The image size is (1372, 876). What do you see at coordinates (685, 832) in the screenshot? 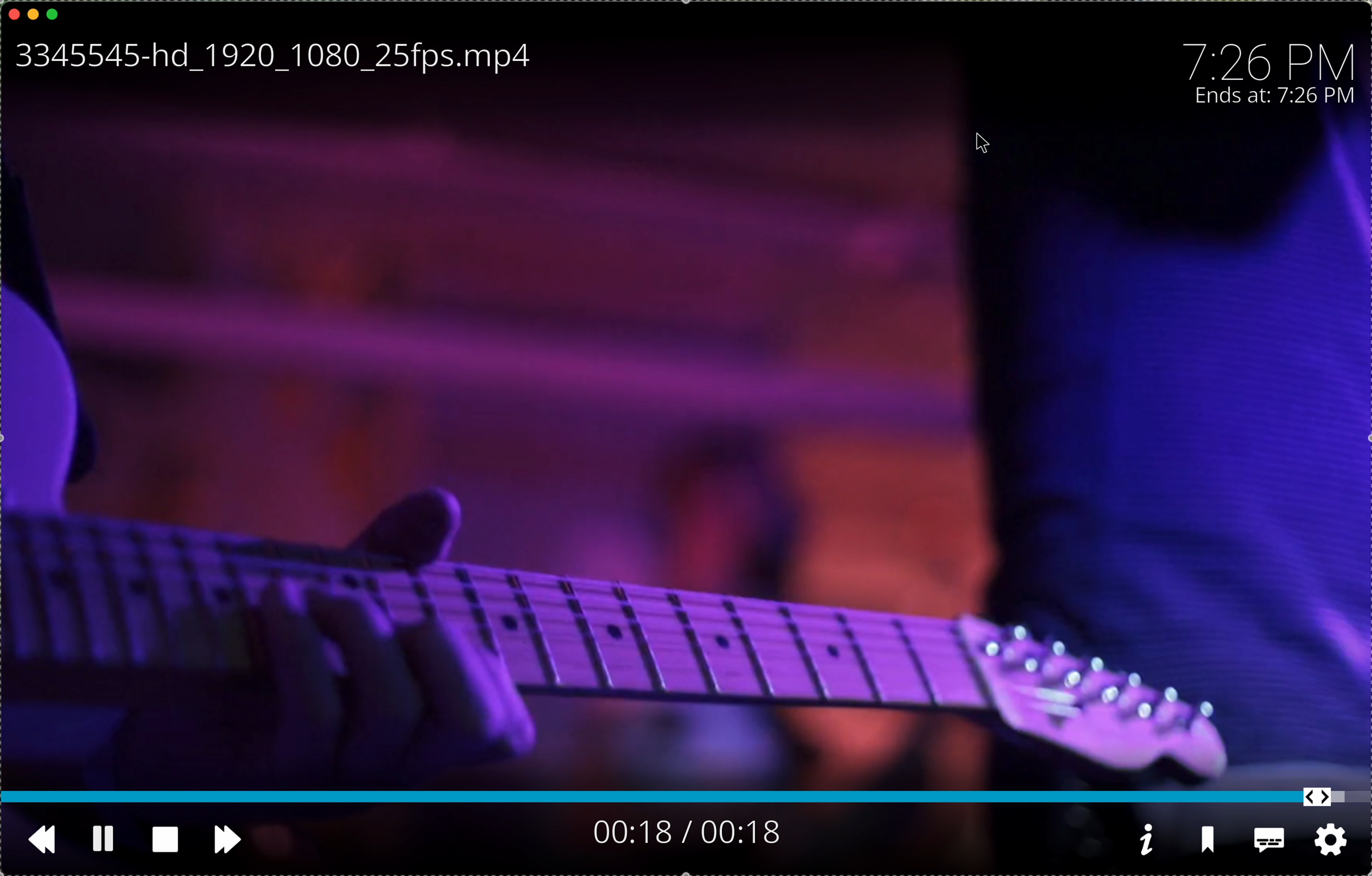
I see `seconds` at bounding box center [685, 832].